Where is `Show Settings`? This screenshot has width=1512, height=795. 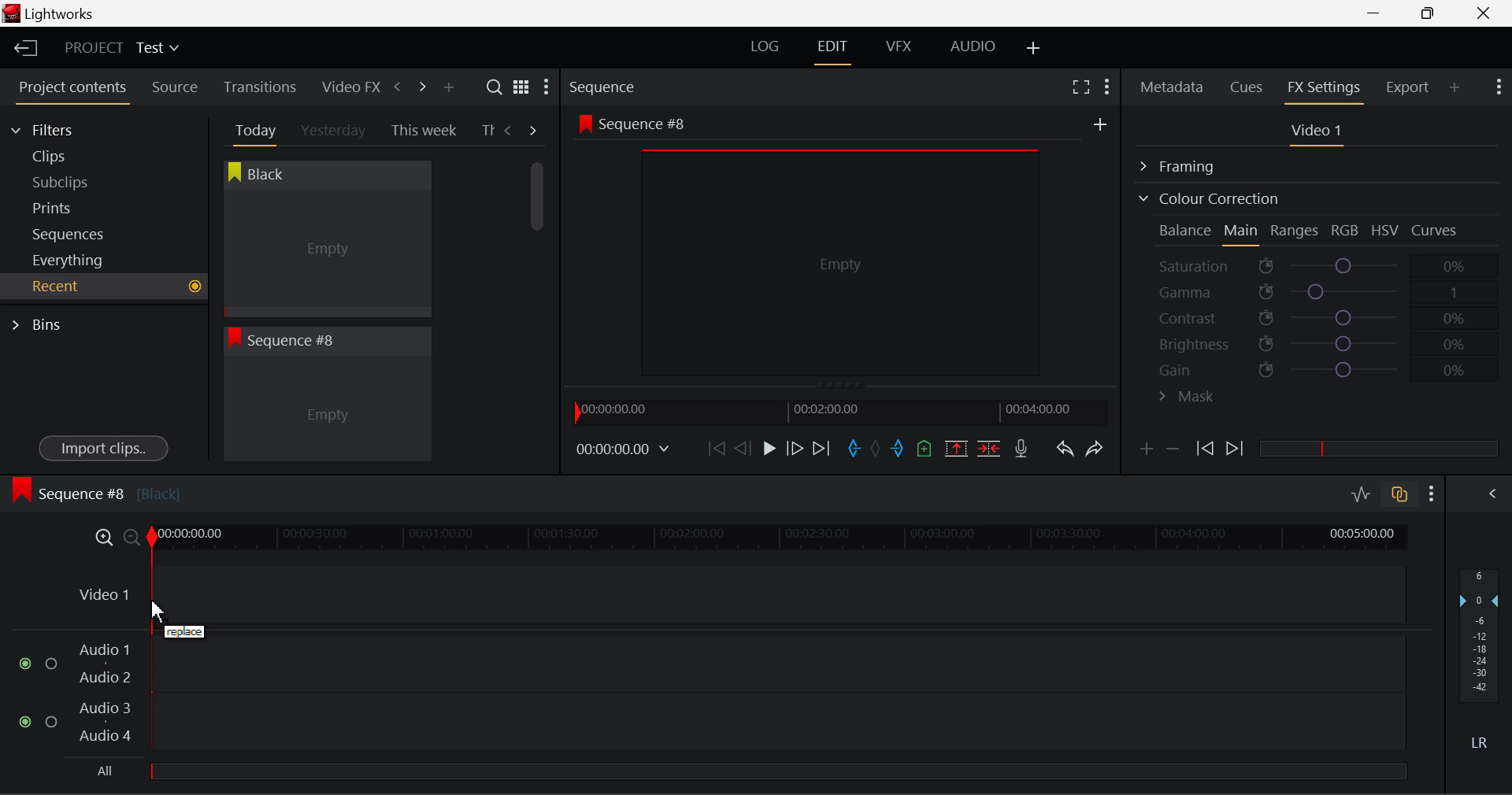 Show Settings is located at coordinates (1497, 85).